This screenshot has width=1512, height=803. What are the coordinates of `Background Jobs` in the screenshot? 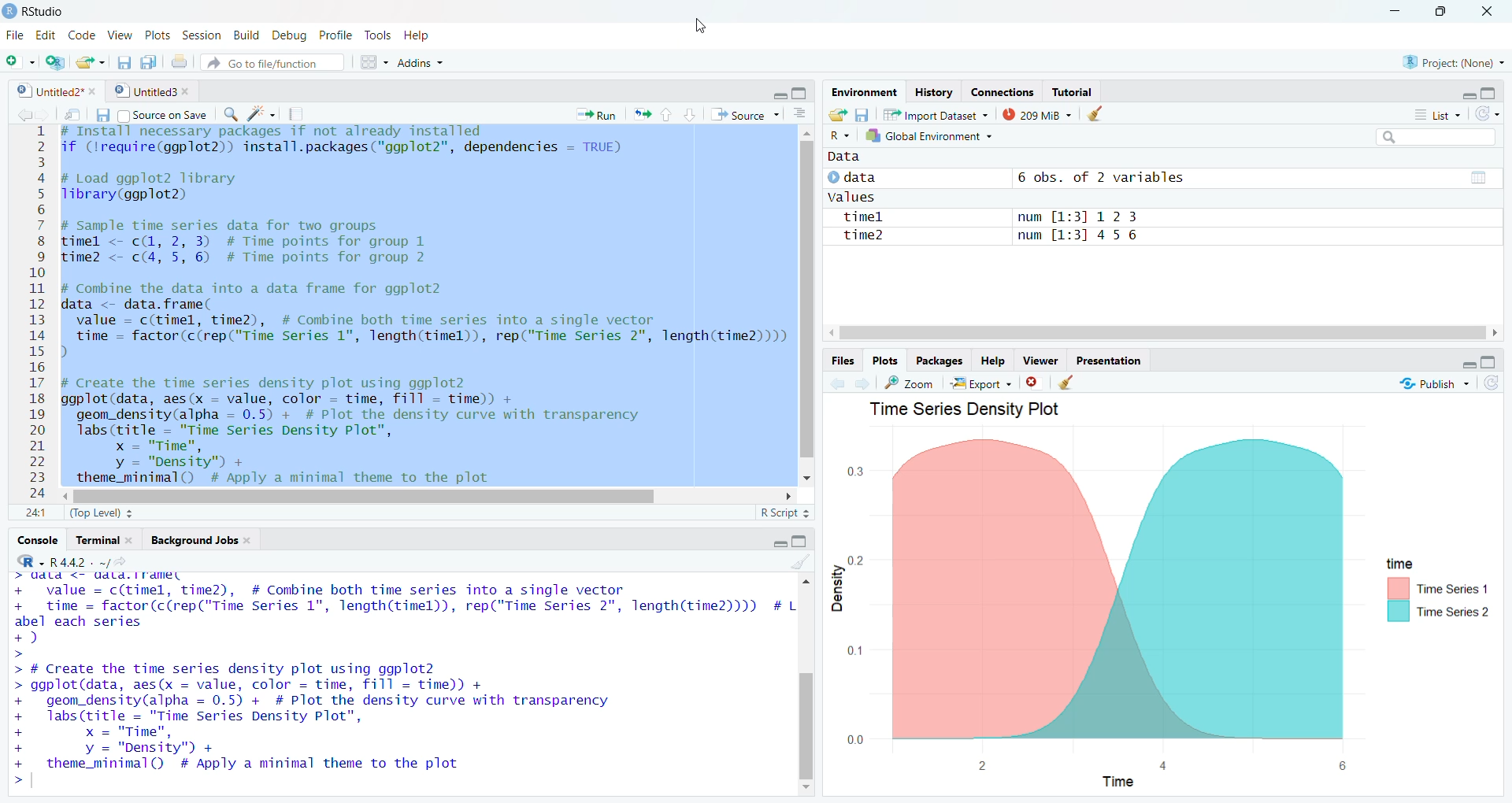 It's located at (200, 539).